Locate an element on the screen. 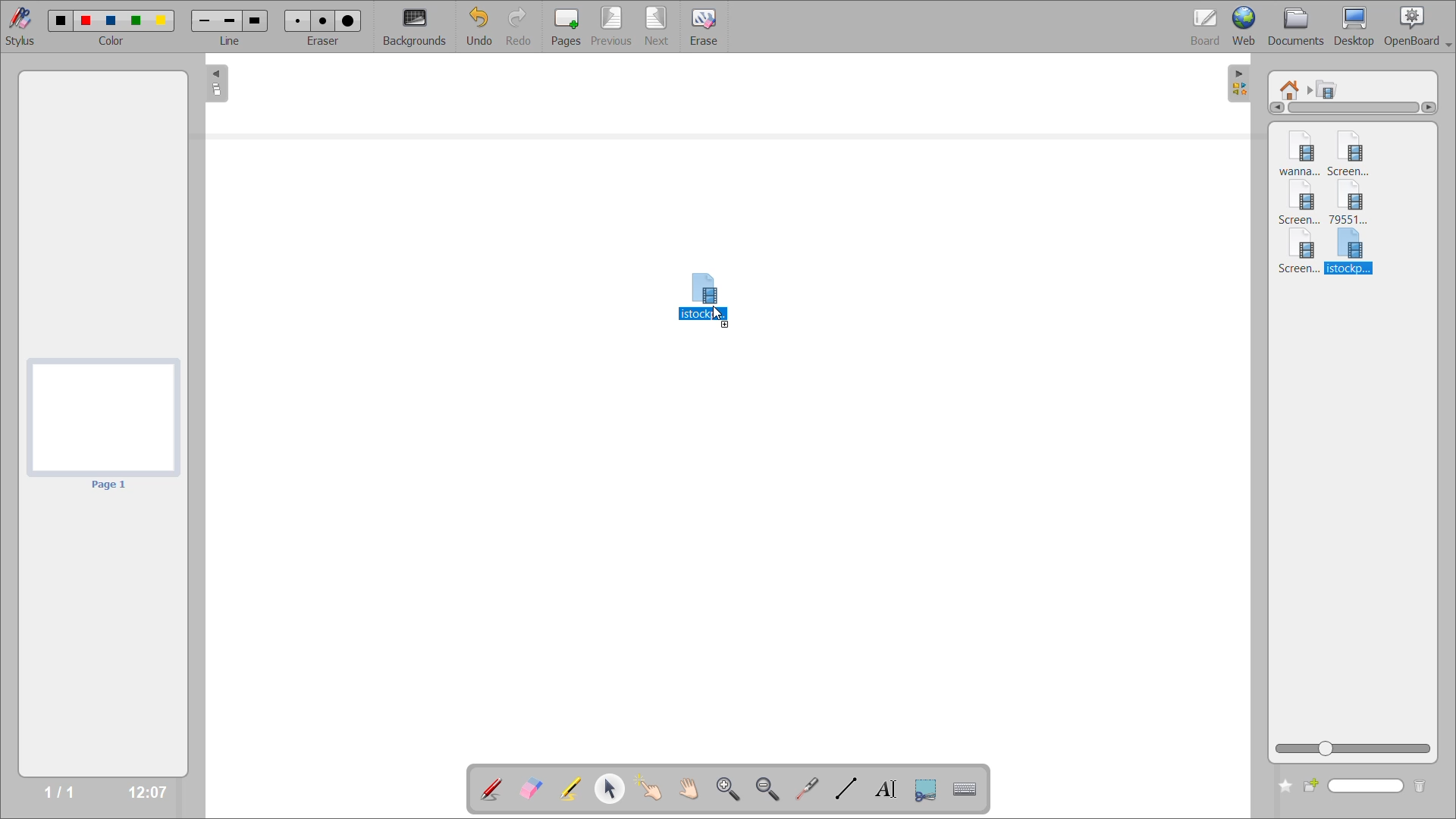 Image resolution: width=1456 pixels, height=819 pixels. pageno/total pages is located at coordinates (55, 792).